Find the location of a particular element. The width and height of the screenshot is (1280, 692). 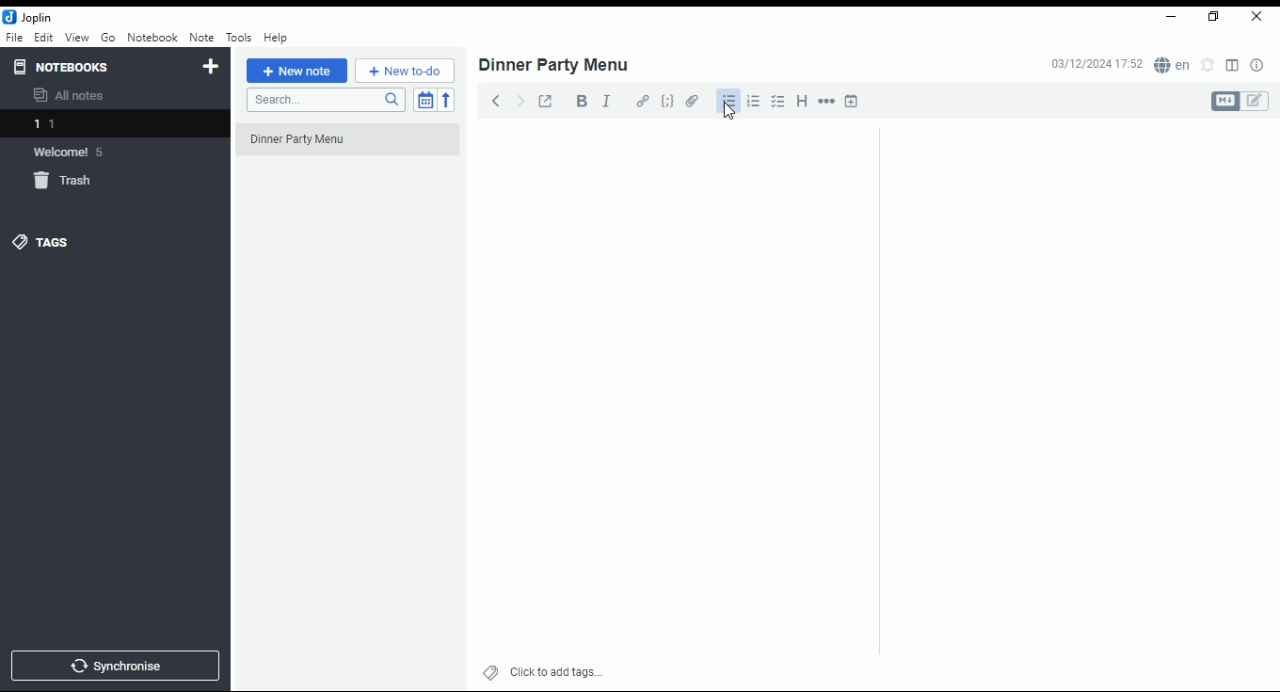

hyperlink is located at coordinates (643, 103).